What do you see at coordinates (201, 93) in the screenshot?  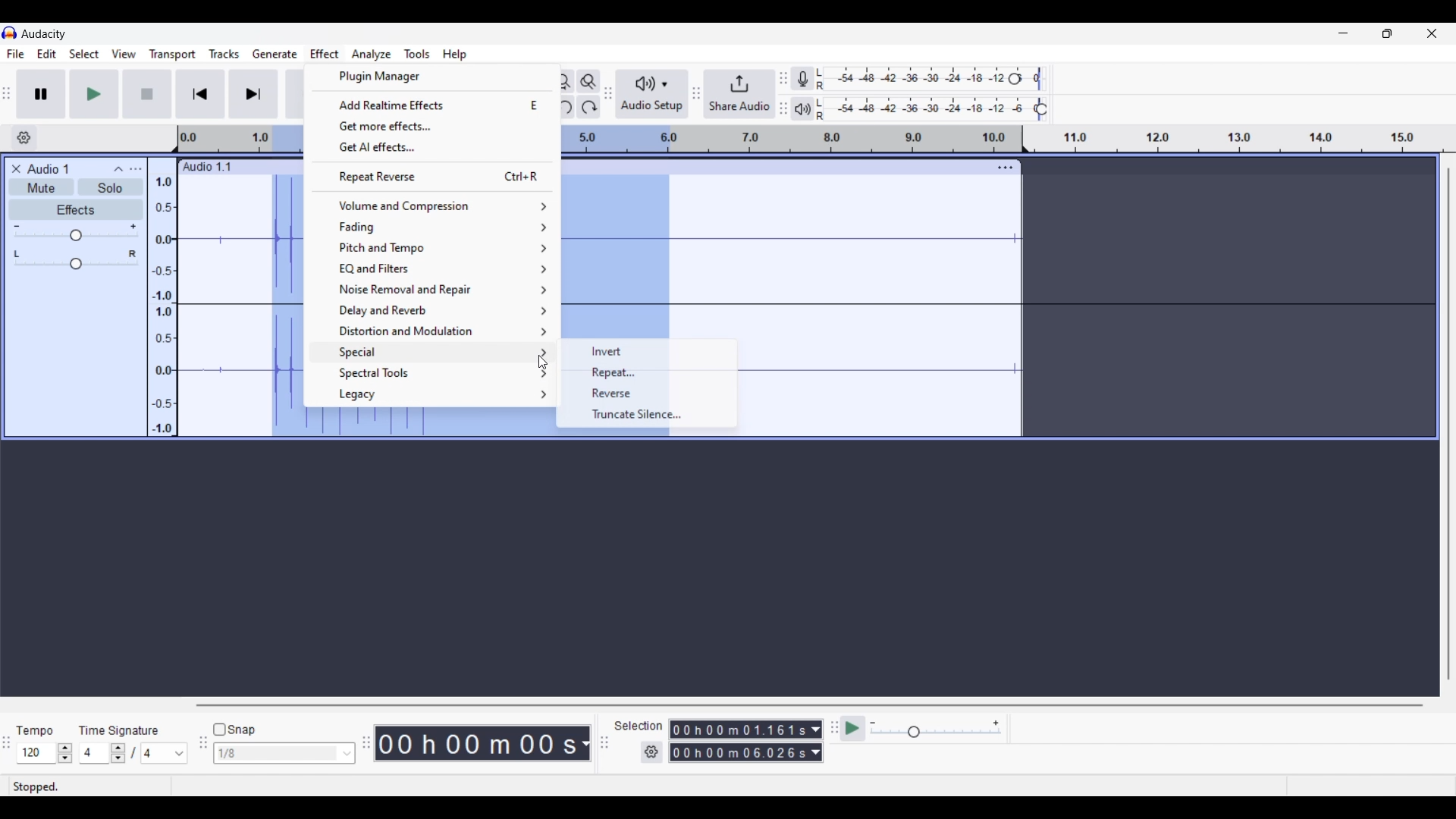 I see `Skip/Select to start` at bounding box center [201, 93].